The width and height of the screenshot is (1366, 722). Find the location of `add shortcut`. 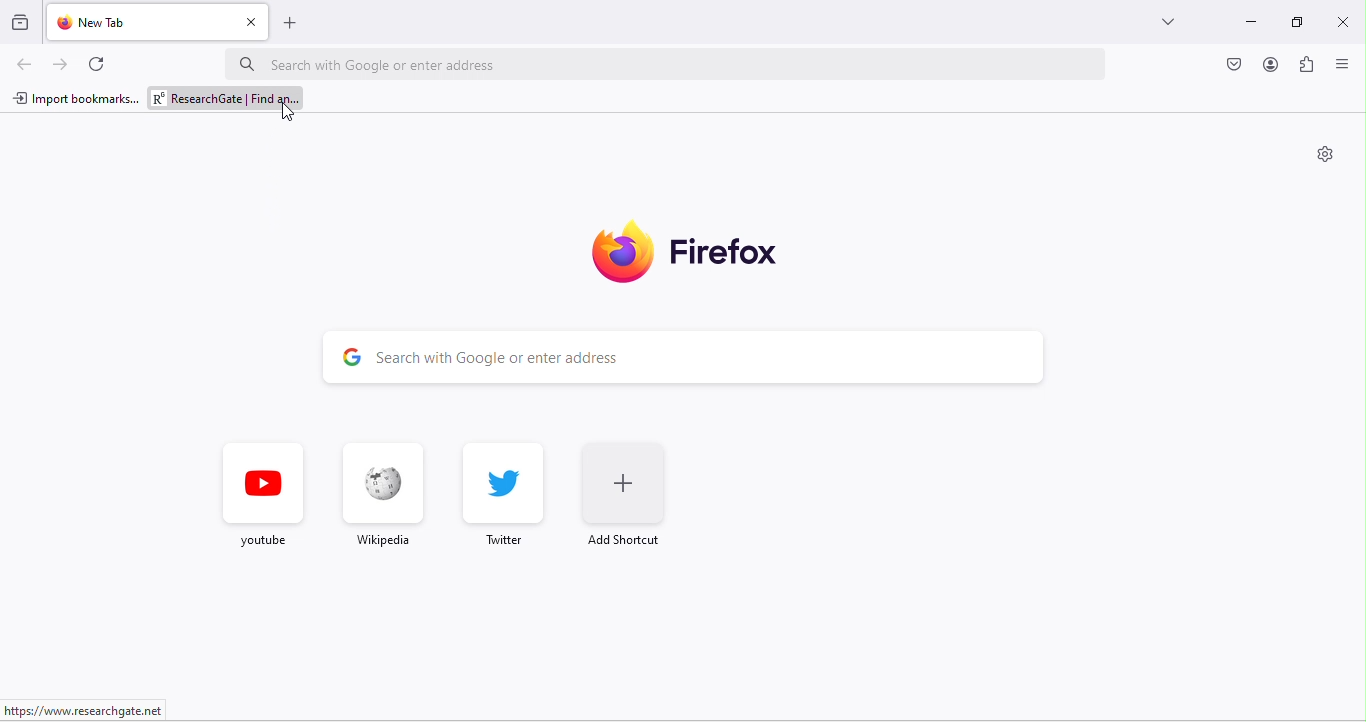

add shortcut is located at coordinates (631, 499).